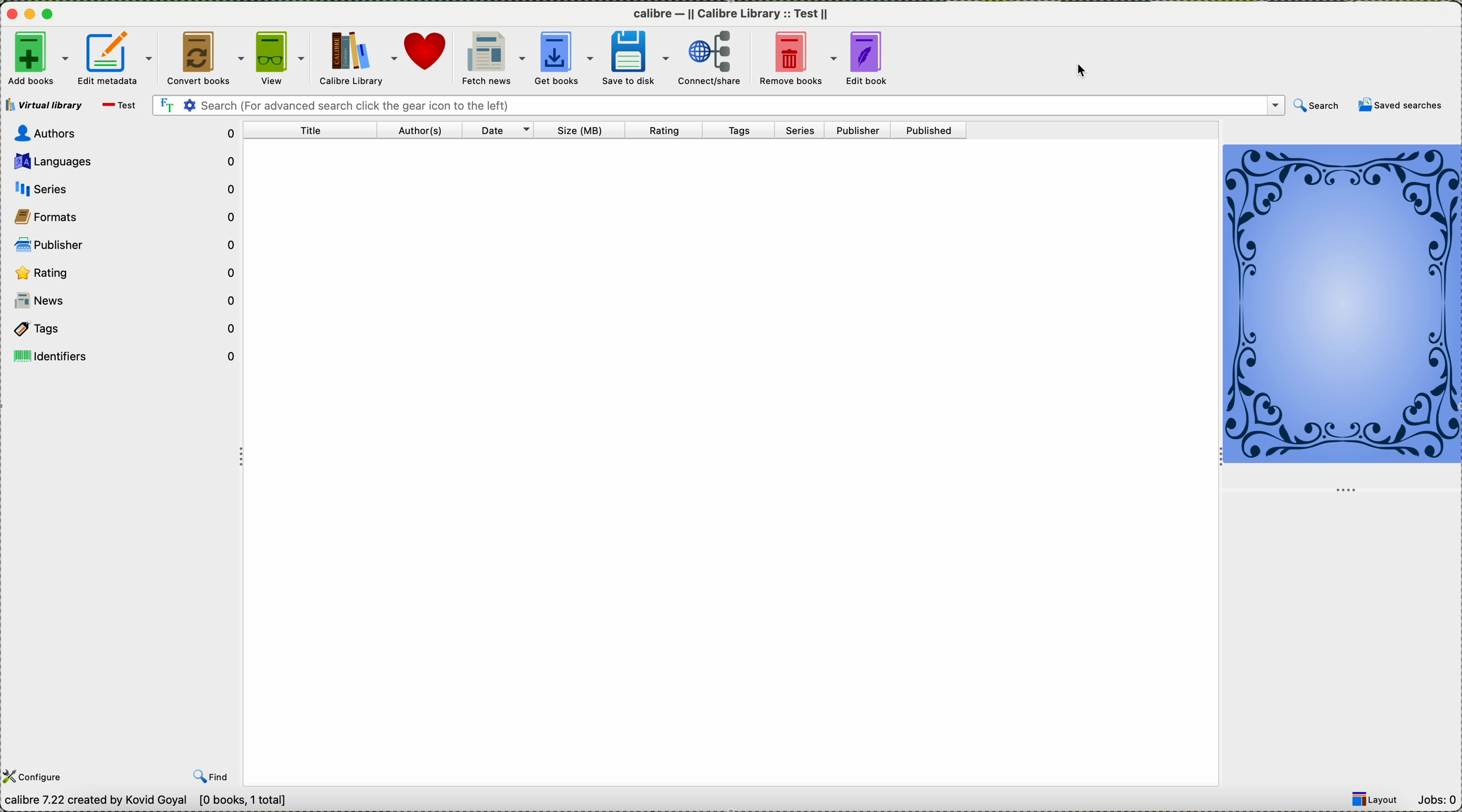 Image resolution: width=1462 pixels, height=812 pixels. I want to click on maximize program, so click(50, 14).